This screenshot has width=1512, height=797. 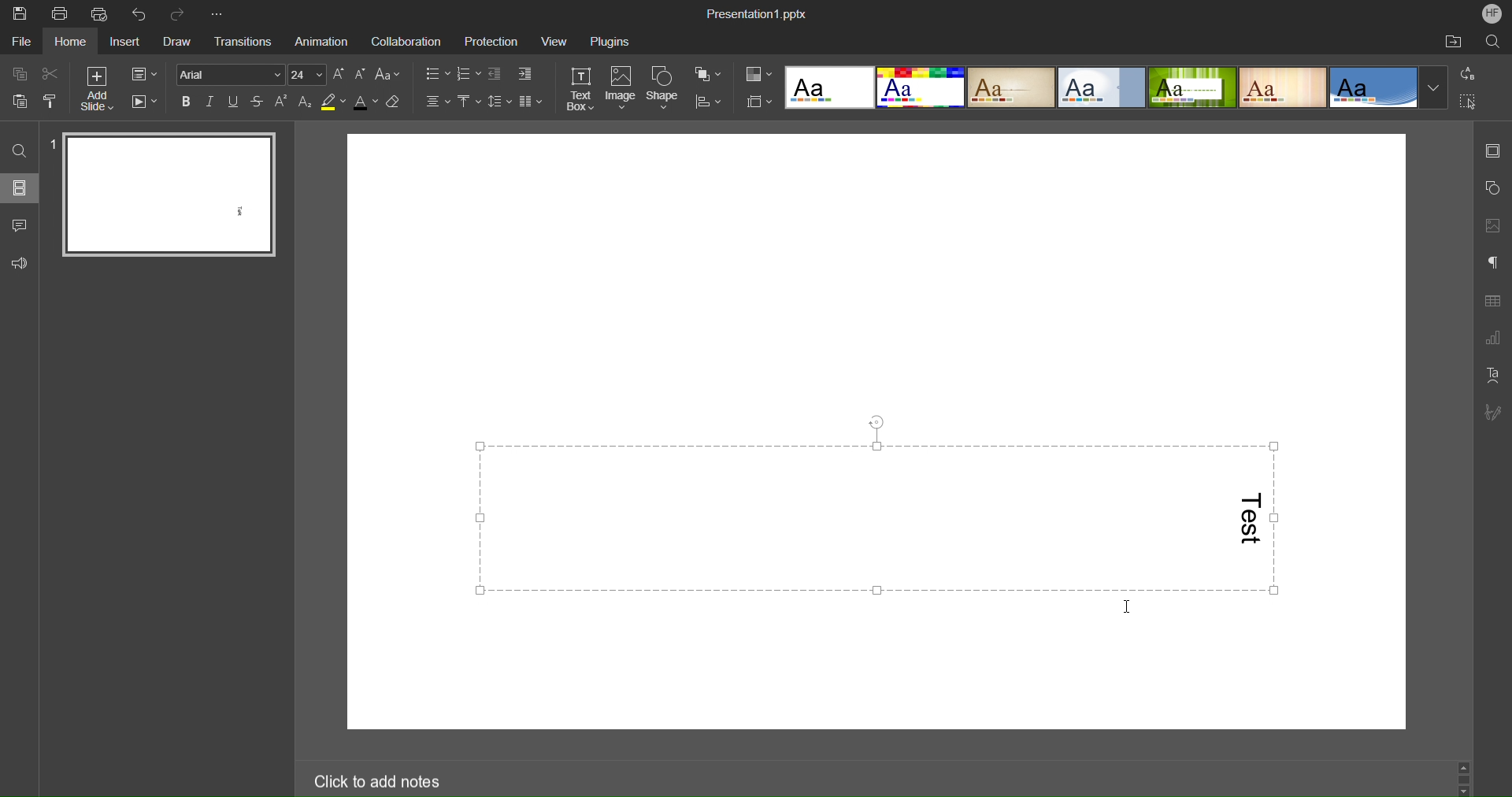 I want to click on Table Settings, so click(x=1492, y=302).